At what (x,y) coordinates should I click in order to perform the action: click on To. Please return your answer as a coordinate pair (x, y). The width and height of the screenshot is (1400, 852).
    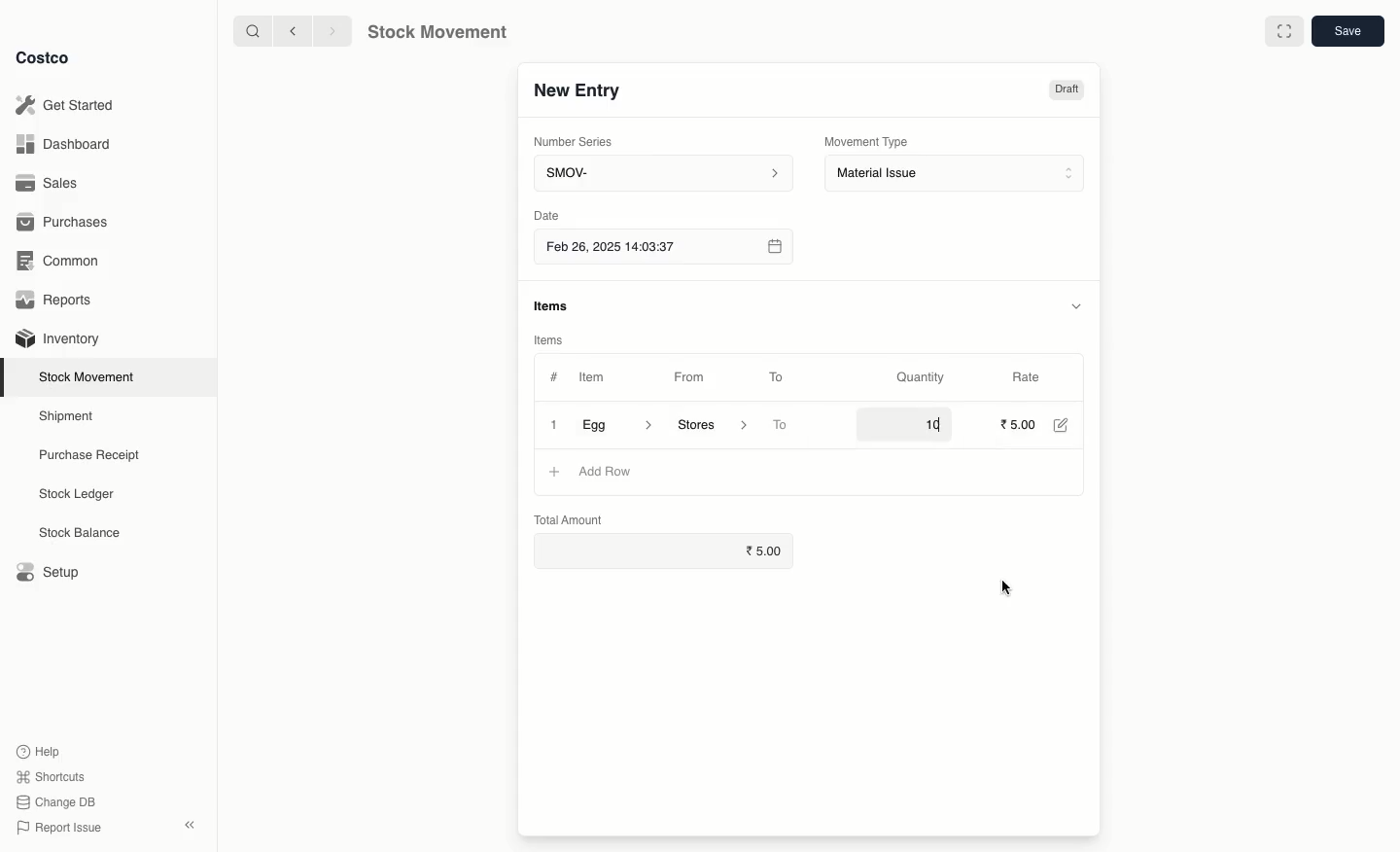
    Looking at the image, I should click on (777, 376).